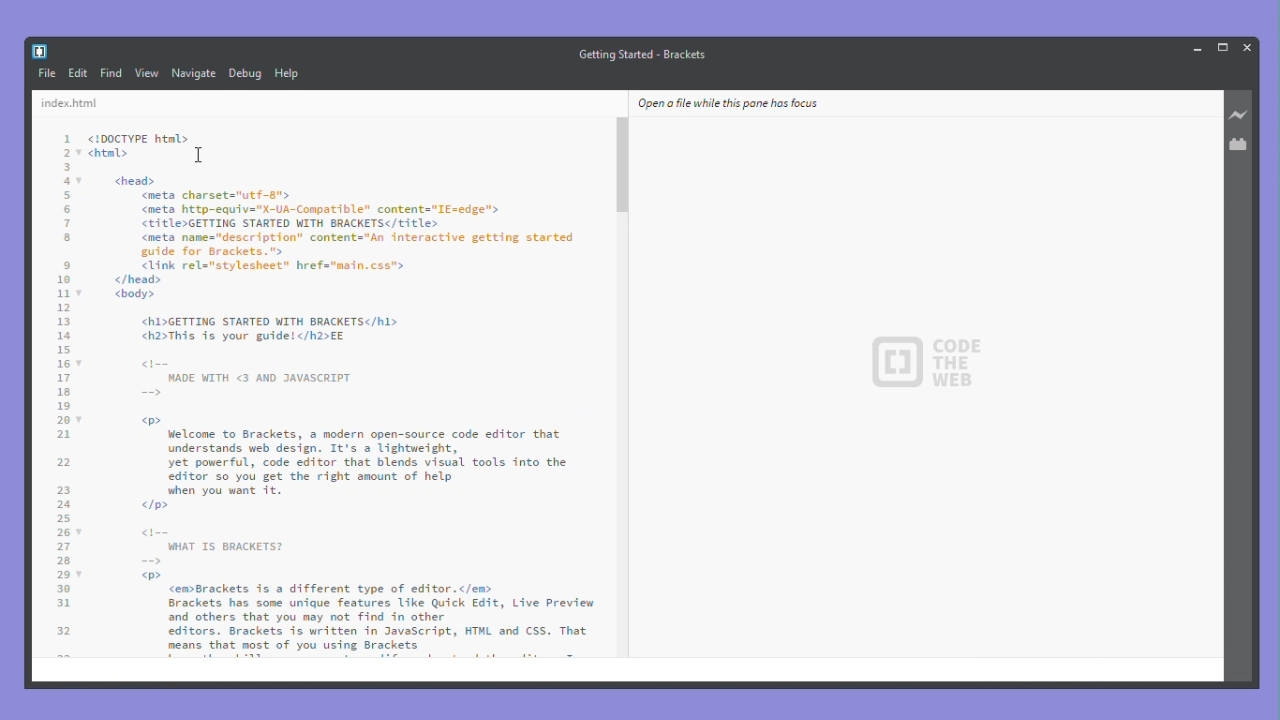  Describe the element at coordinates (63, 421) in the screenshot. I see `20` at that location.